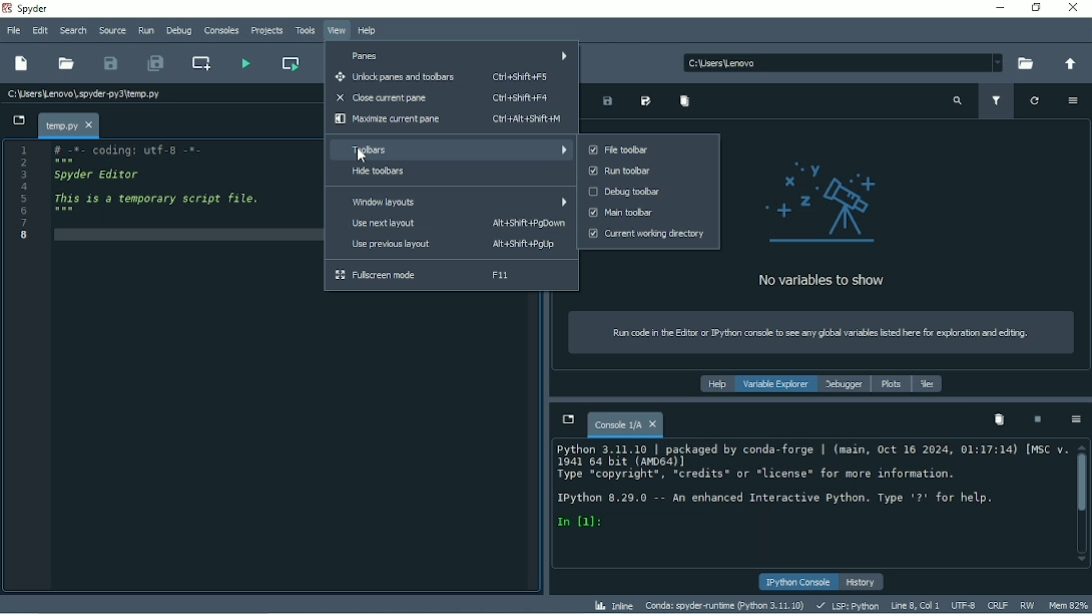 The width and height of the screenshot is (1092, 614). What do you see at coordinates (957, 102) in the screenshot?
I see `Search variable names and types` at bounding box center [957, 102].